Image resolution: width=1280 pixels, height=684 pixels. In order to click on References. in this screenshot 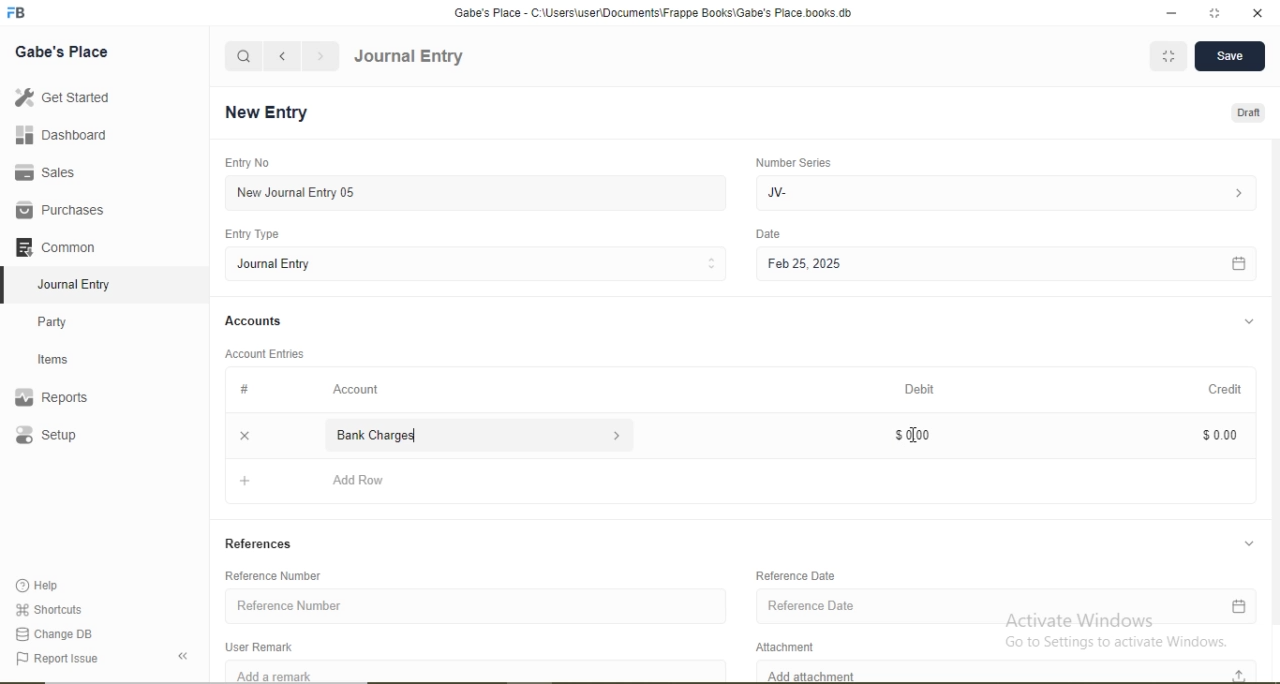, I will do `click(259, 543)`.